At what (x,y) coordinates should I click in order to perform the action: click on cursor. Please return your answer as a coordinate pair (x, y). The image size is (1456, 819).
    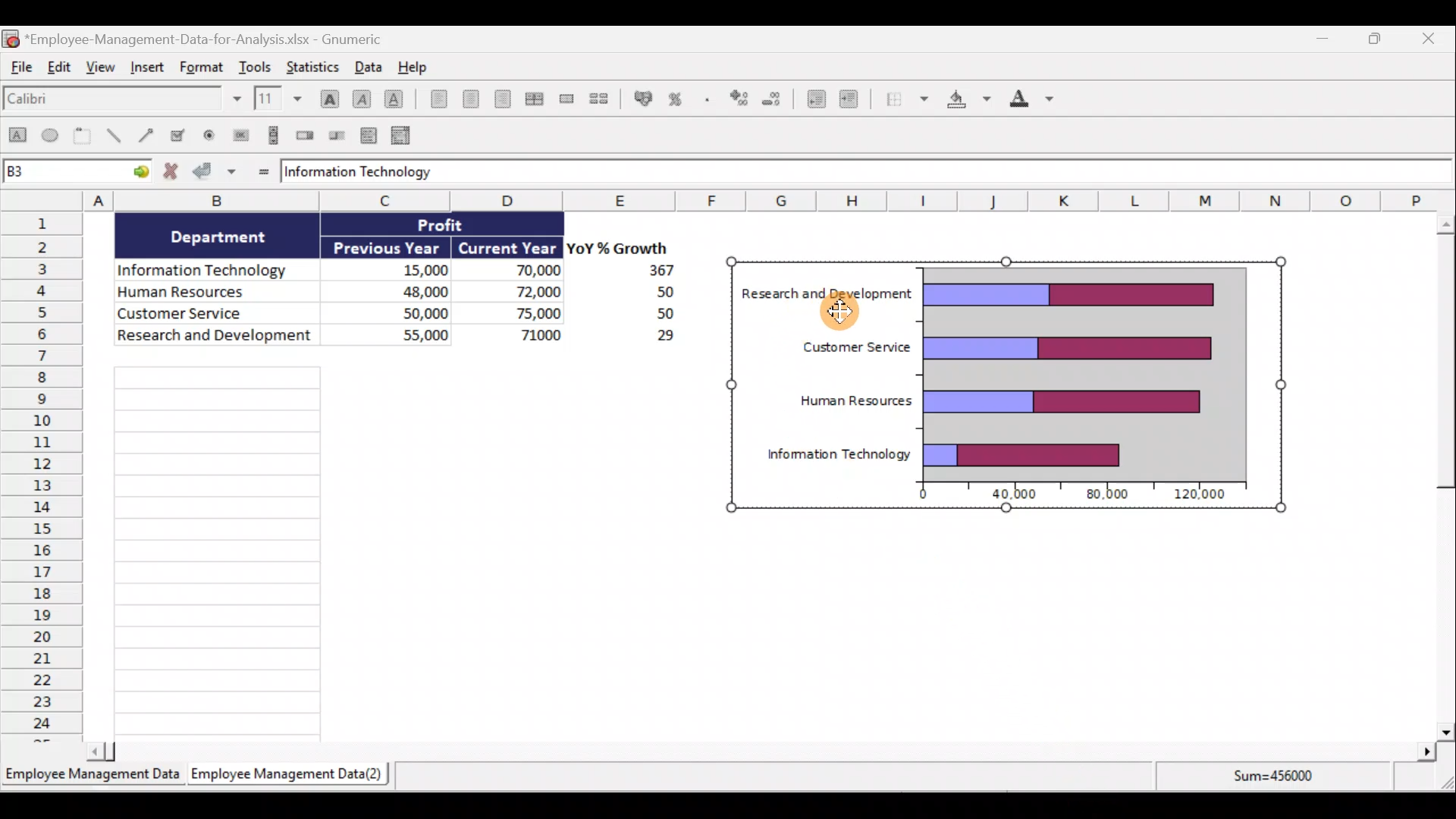
    Looking at the image, I should click on (841, 314).